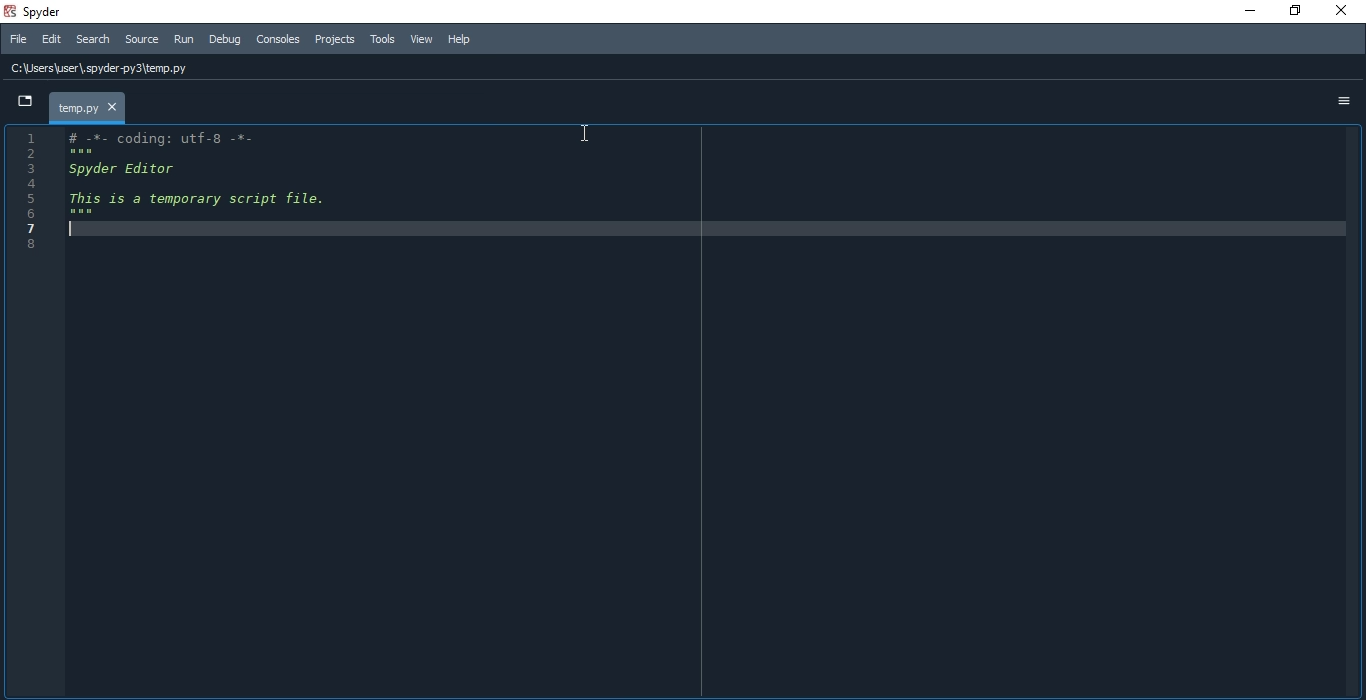  What do you see at coordinates (335, 39) in the screenshot?
I see `Projects` at bounding box center [335, 39].